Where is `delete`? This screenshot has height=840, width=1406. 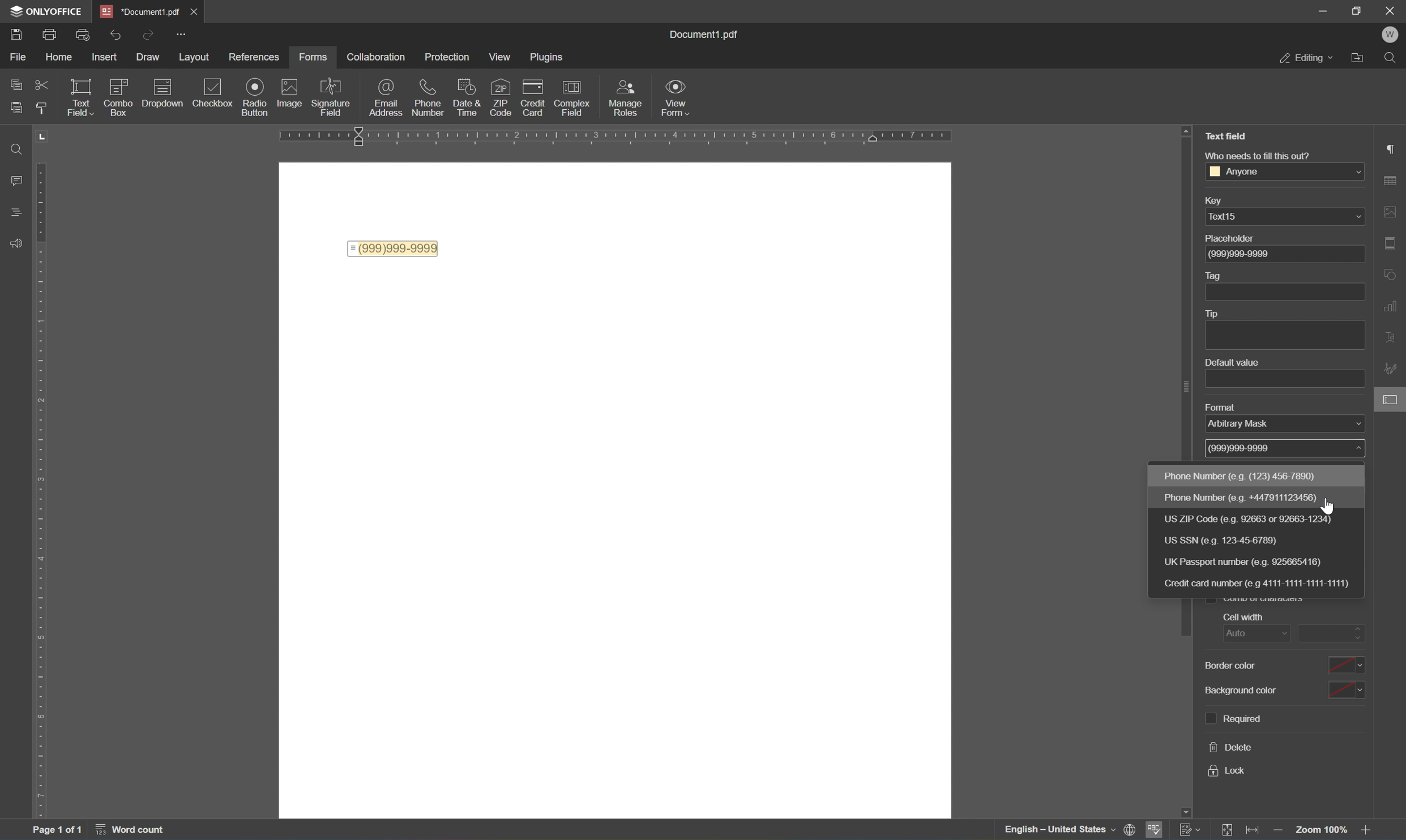 delete is located at coordinates (1232, 747).